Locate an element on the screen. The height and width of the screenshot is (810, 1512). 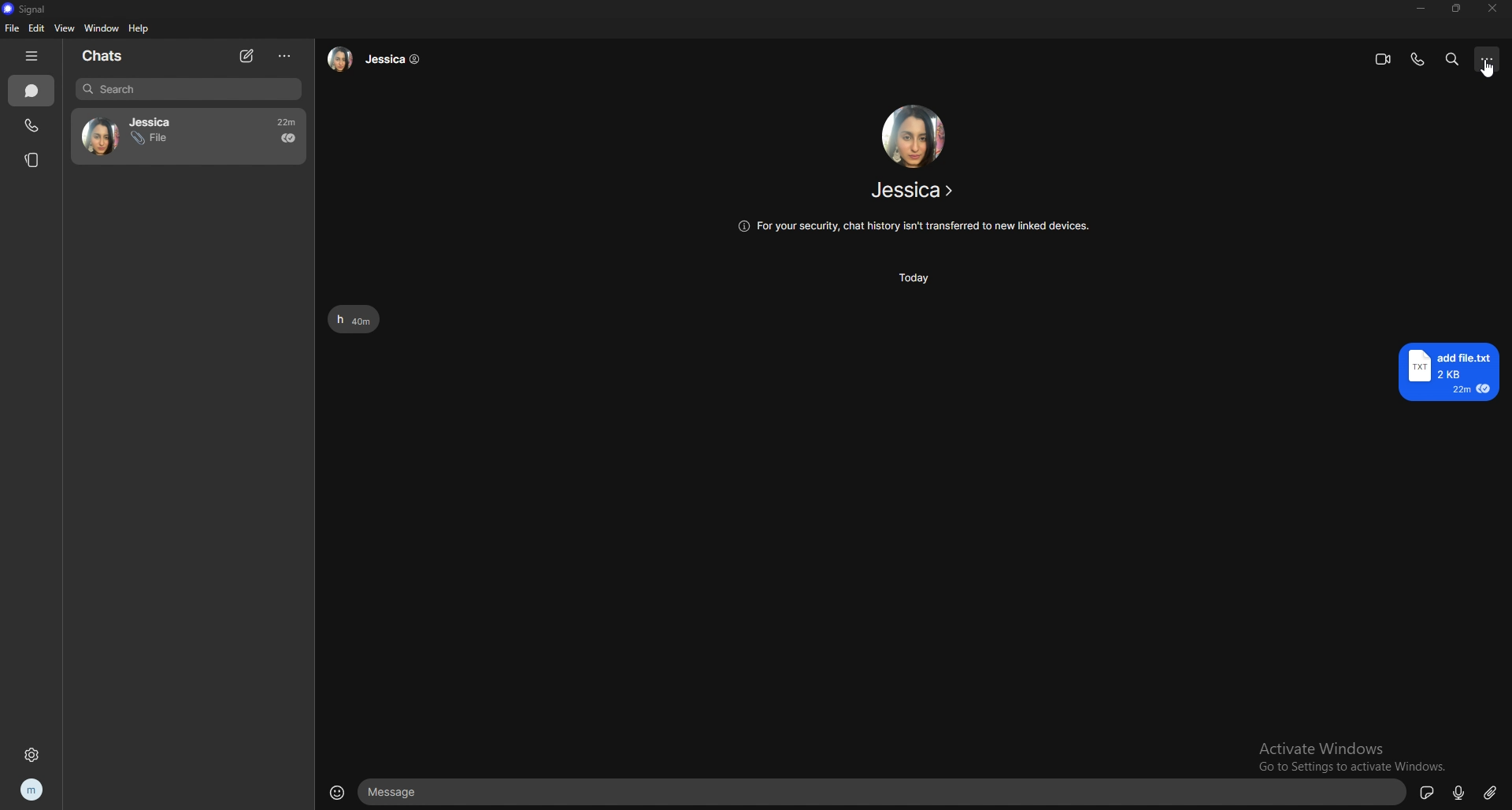
emoji is located at coordinates (337, 794).